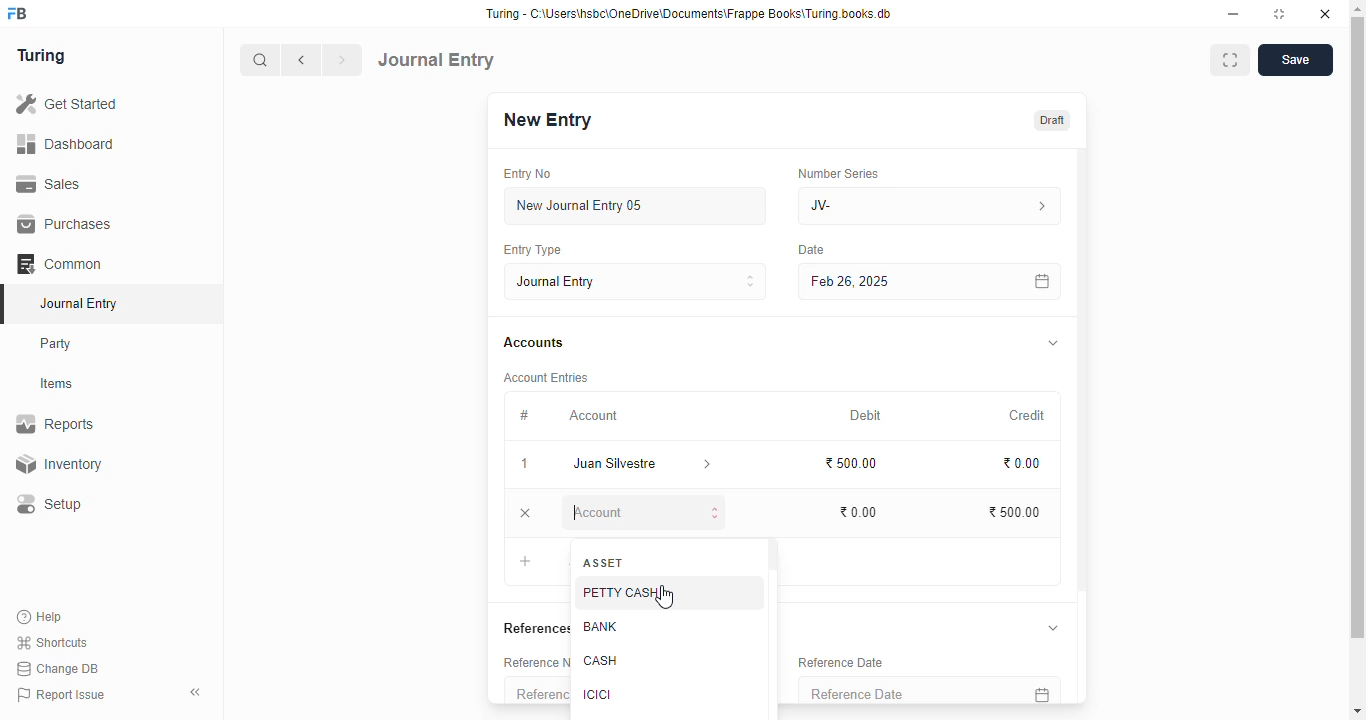 The image size is (1366, 720). Describe the element at coordinates (837, 172) in the screenshot. I see `number series` at that location.